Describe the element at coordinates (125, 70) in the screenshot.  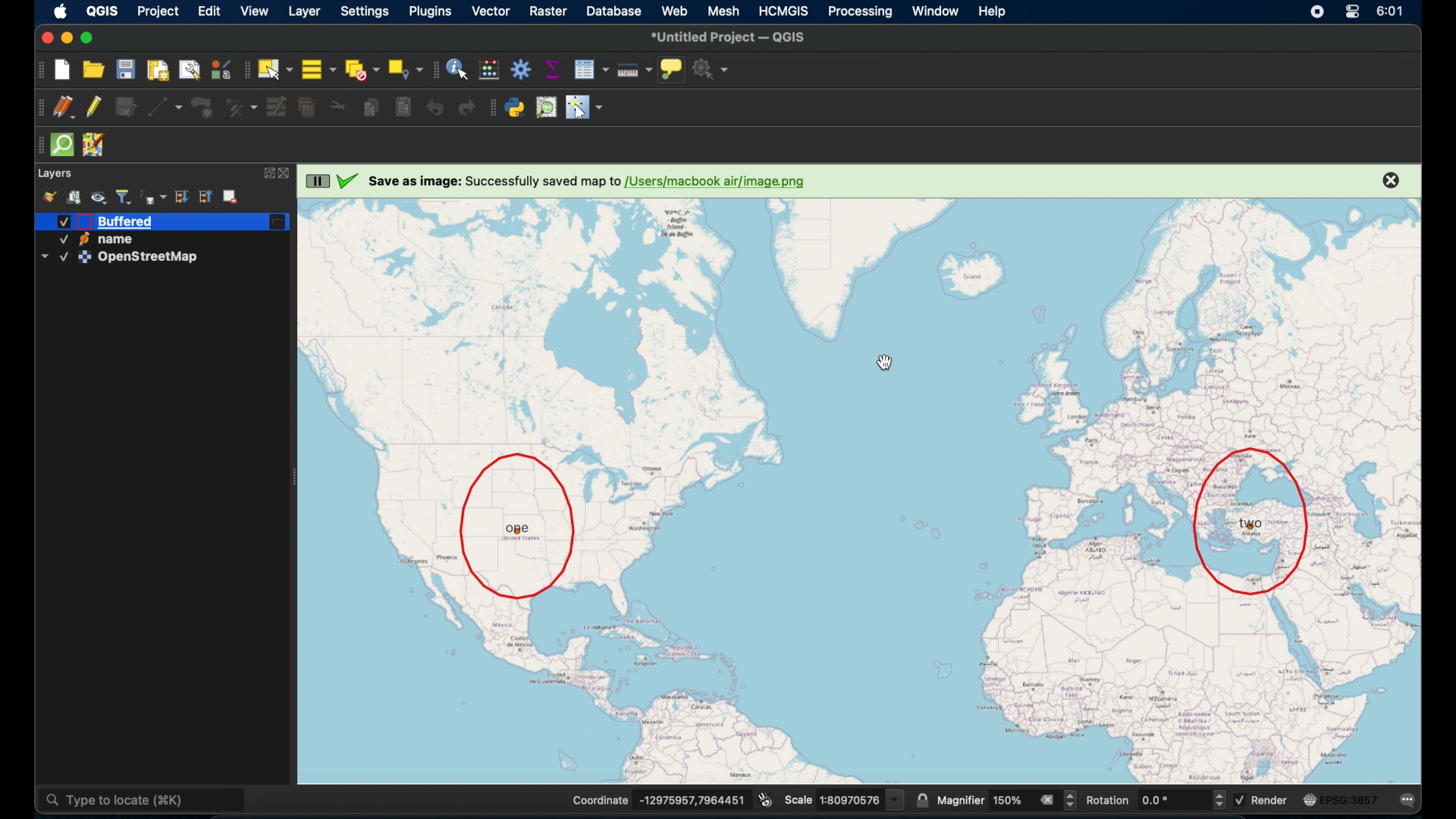
I see `save project` at that location.